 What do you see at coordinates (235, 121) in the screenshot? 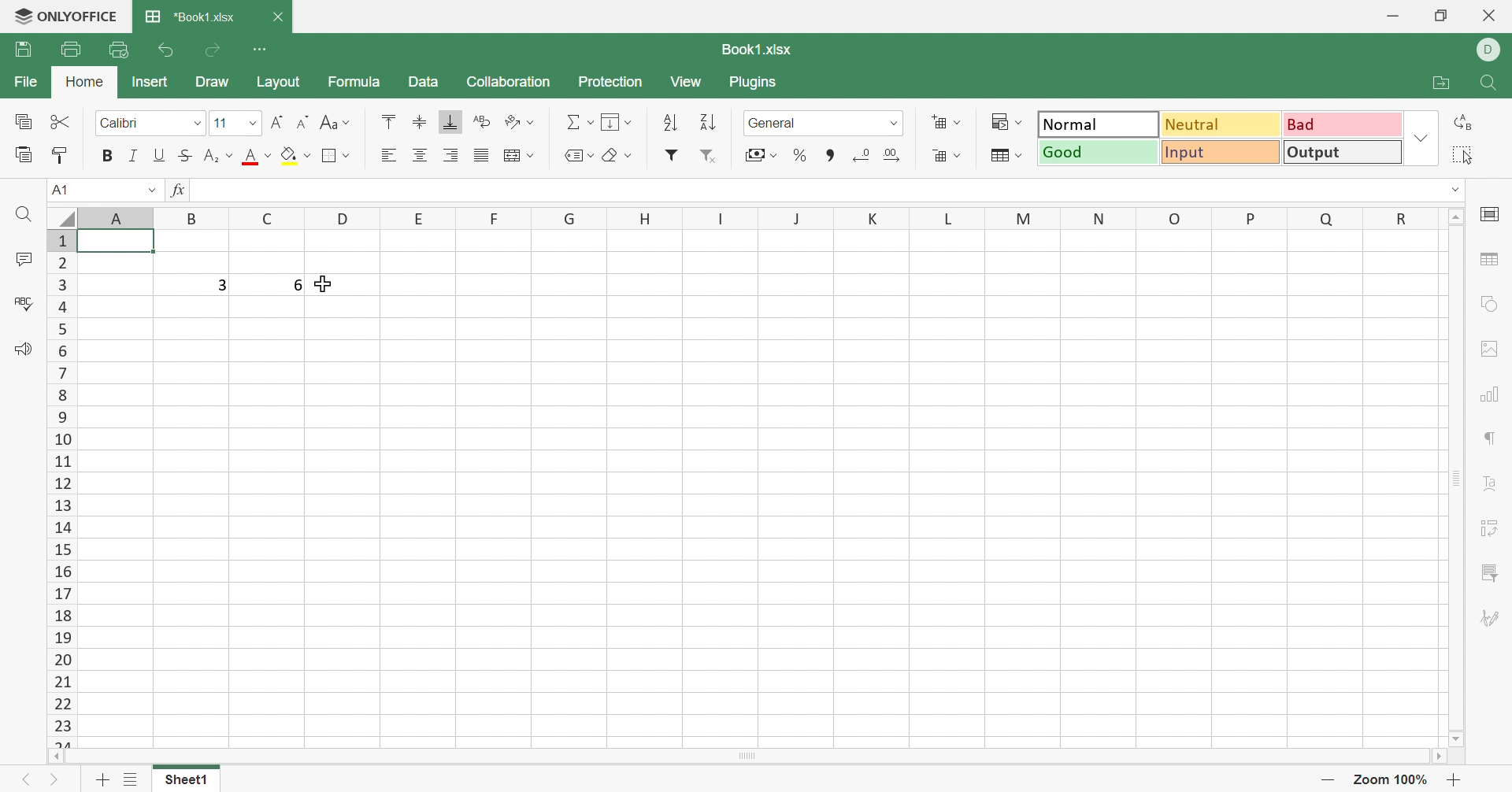
I see `Font size` at bounding box center [235, 121].